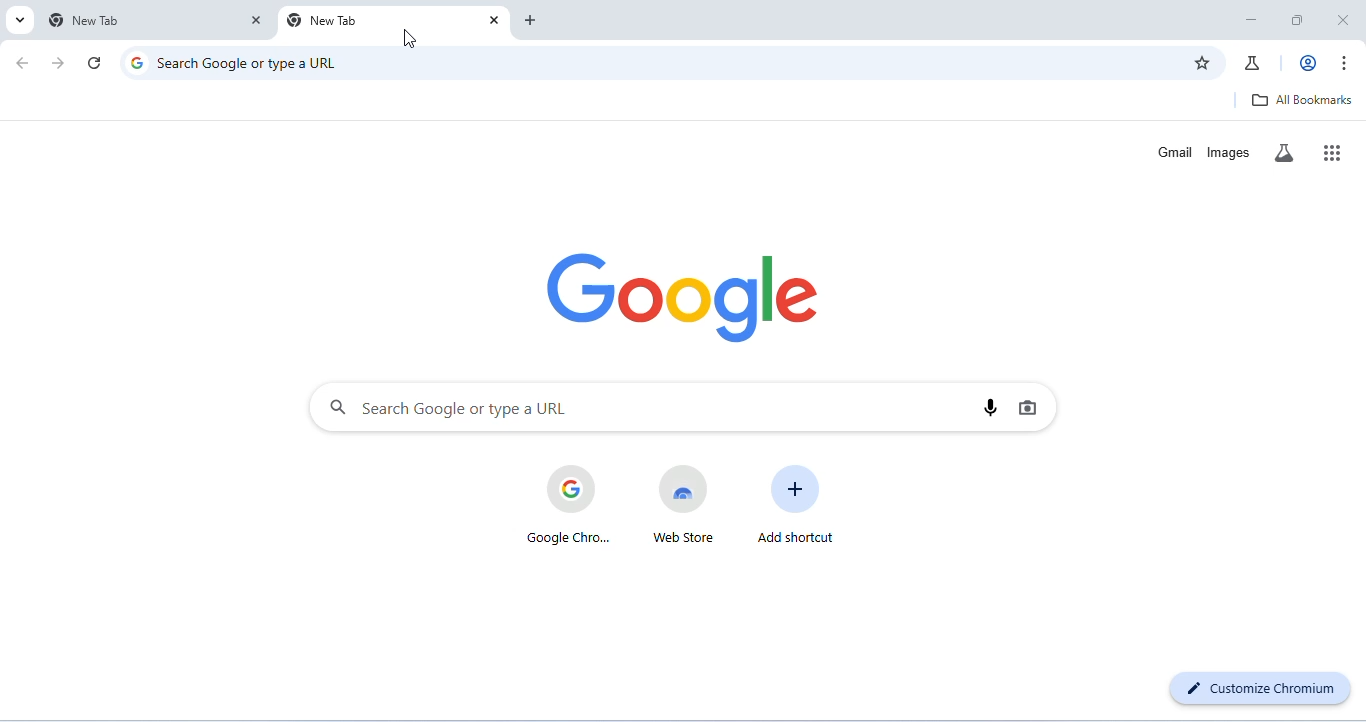 The image size is (1366, 722). Describe the element at coordinates (60, 63) in the screenshot. I see `go forward` at that location.